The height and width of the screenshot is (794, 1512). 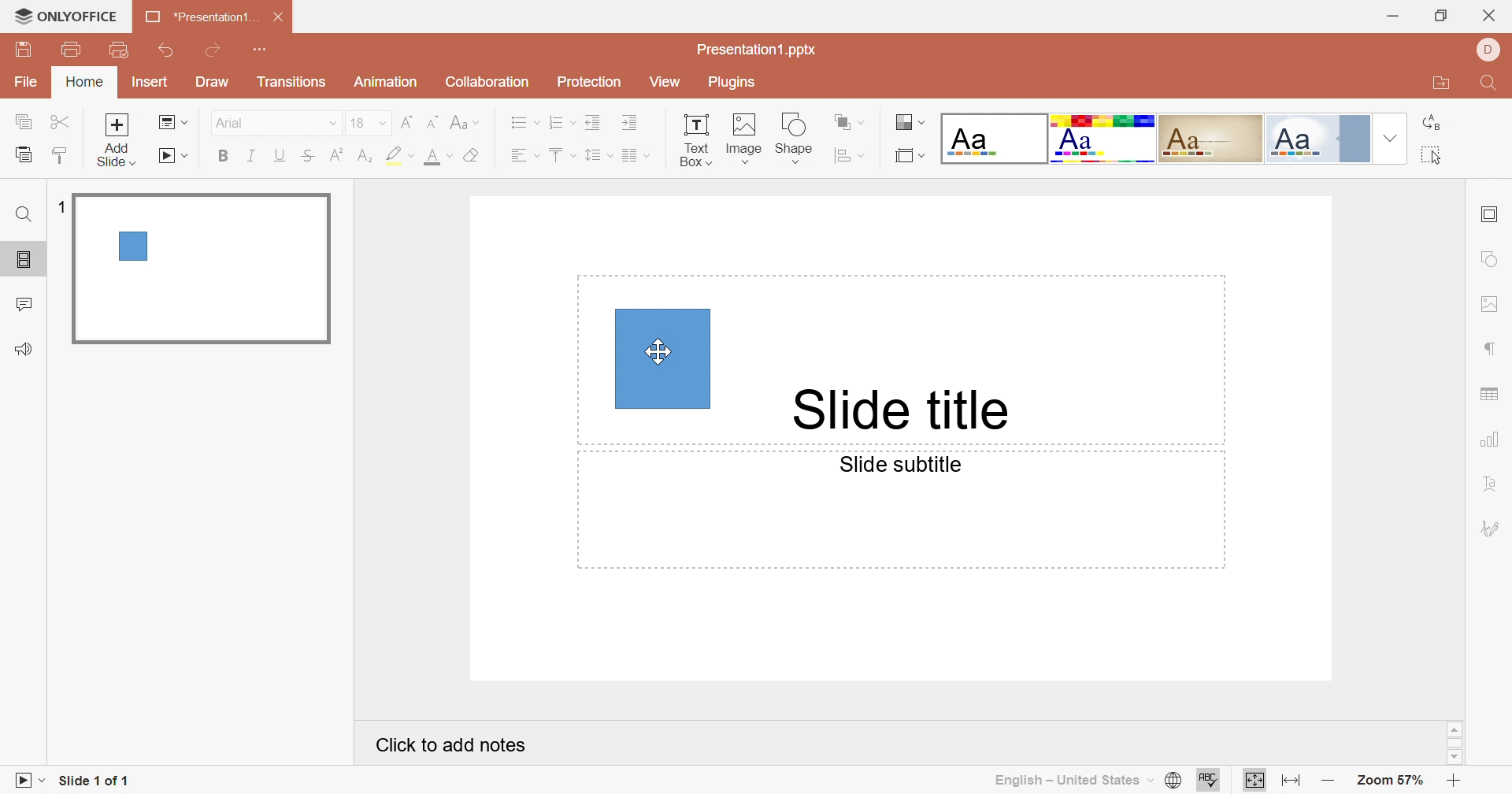 What do you see at coordinates (909, 404) in the screenshot?
I see `Slide title` at bounding box center [909, 404].